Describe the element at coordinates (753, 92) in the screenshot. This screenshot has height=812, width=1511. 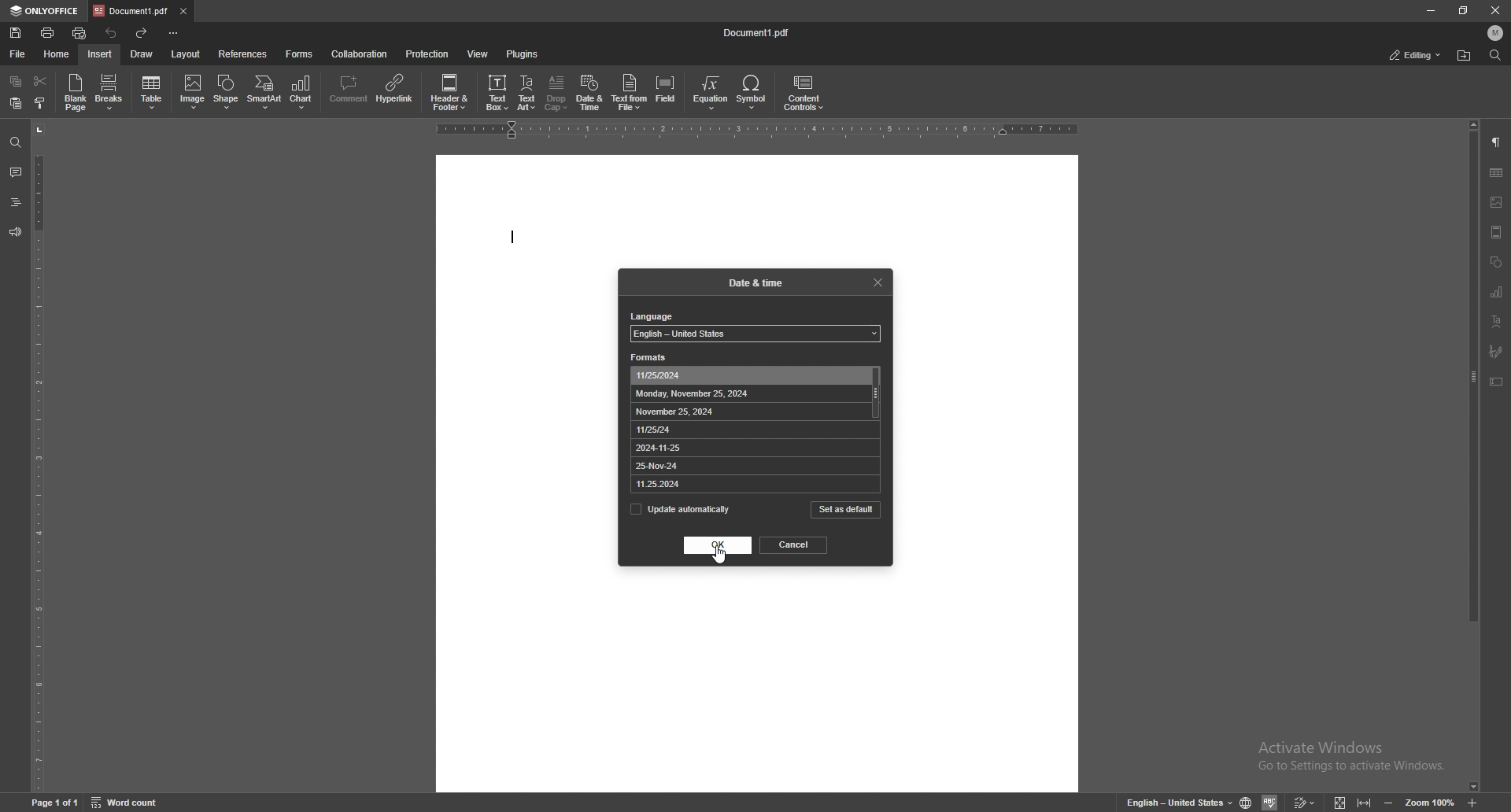
I see `symbol` at that location.